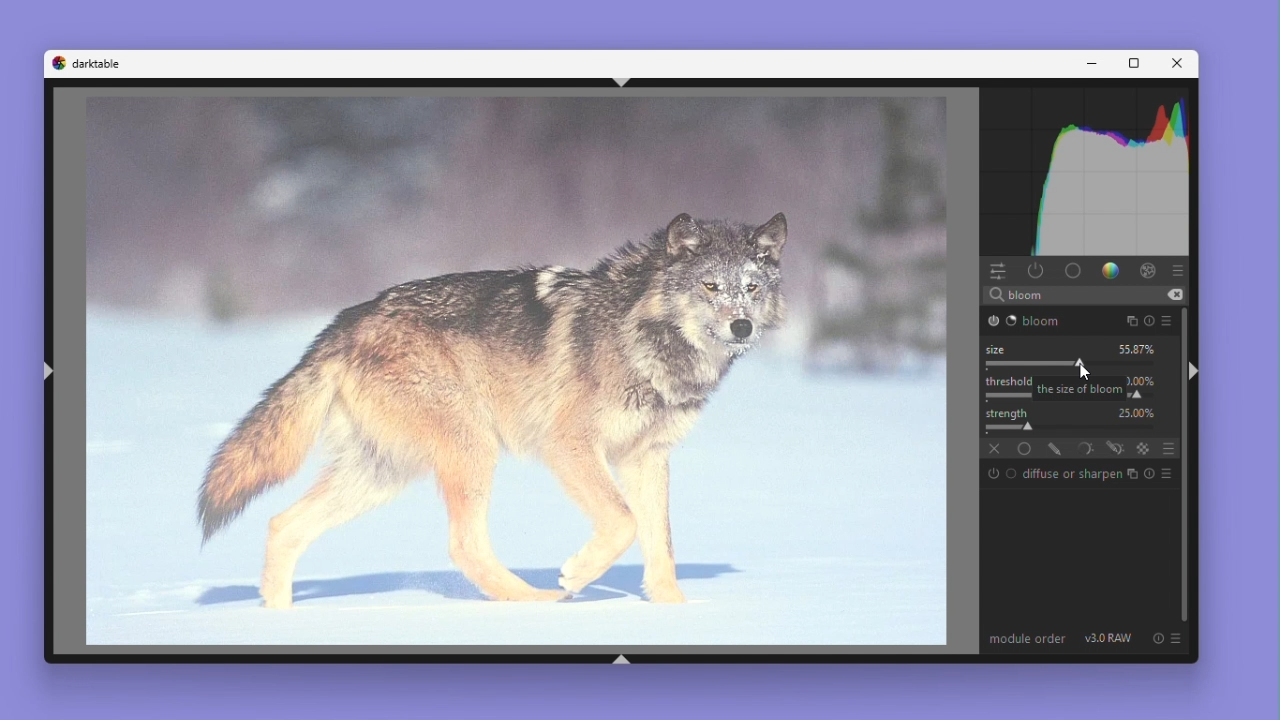 The width and height of the screenshot is (1280, 720). What do you see at coordinates (57, 63) in the screenshot?
I see `Dark table logo` at bounding box center [57, 63].